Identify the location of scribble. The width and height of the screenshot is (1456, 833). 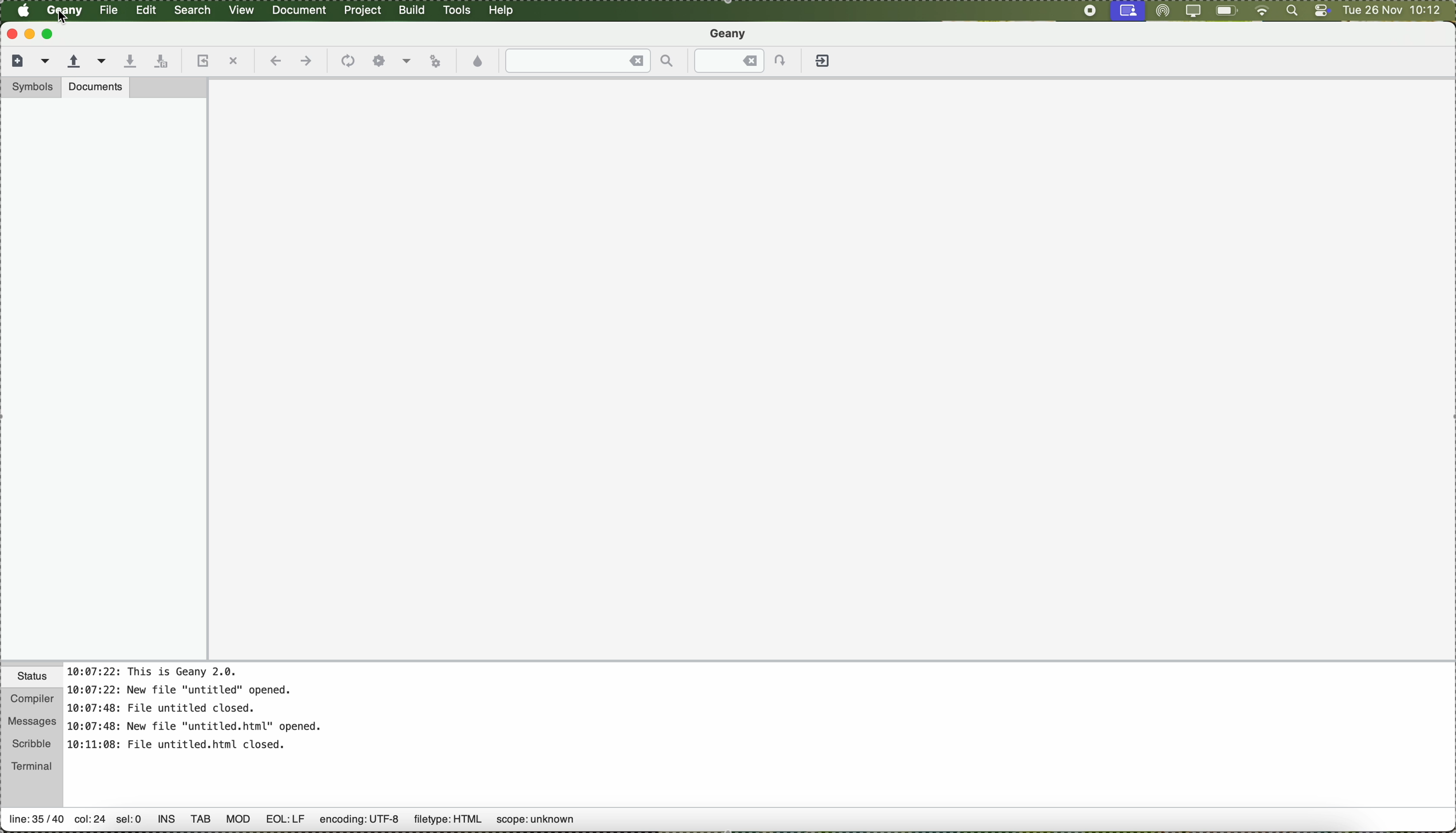
(32, 741).